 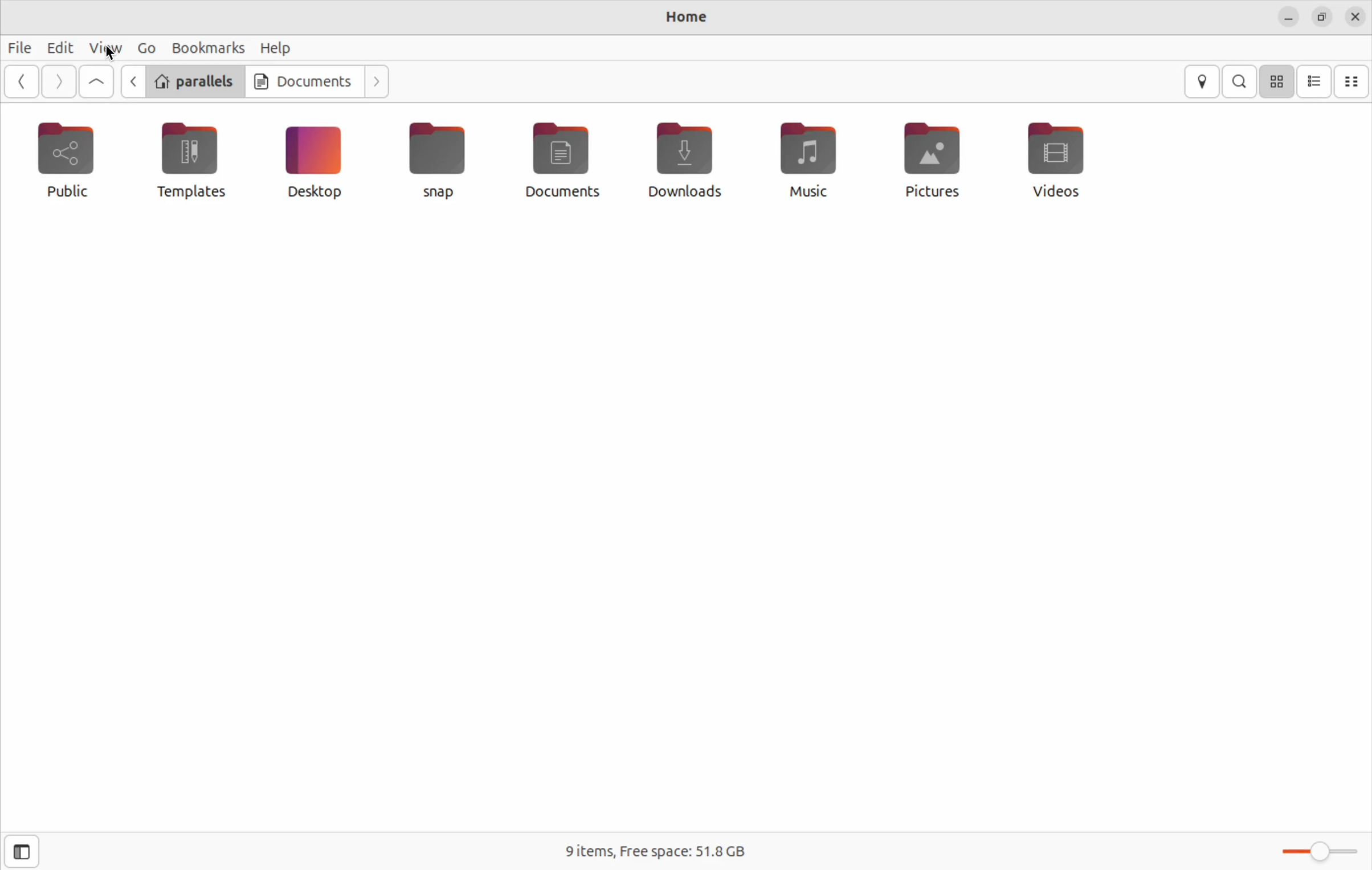 What do you see at coordinates (1290, 16) in the screenshot?
I see `minimize` at bounding box center [1290, 16].